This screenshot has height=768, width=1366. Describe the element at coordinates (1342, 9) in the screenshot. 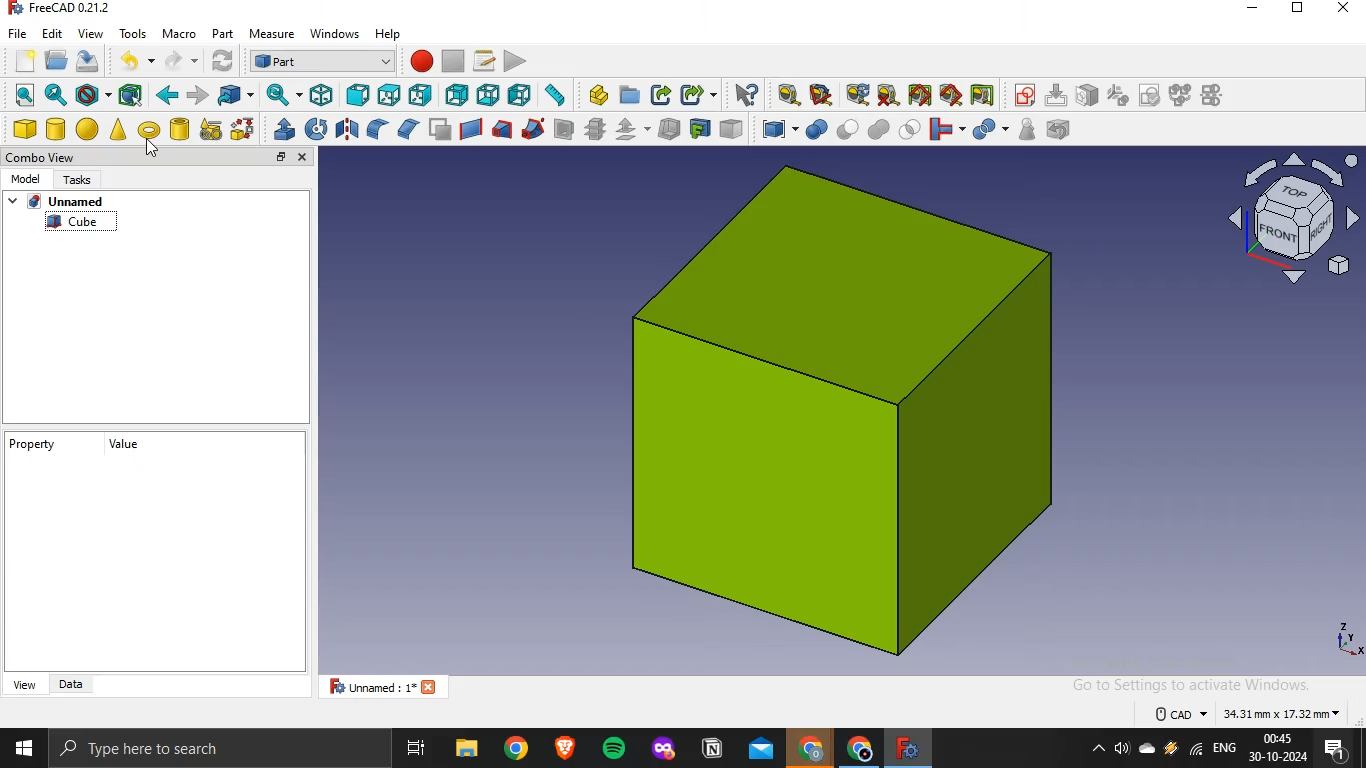

I see `close` at that location.